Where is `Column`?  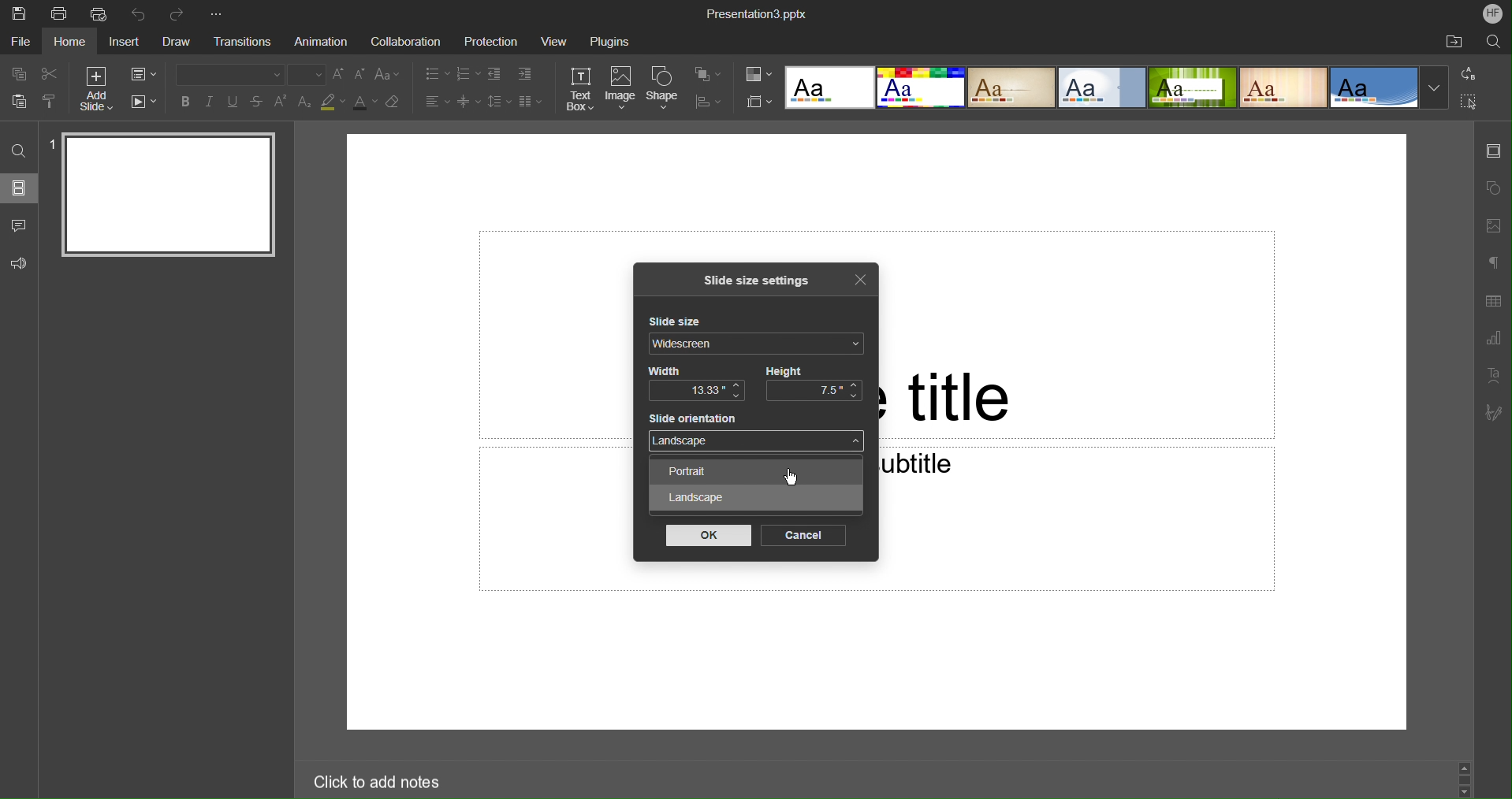
Column is located at coordinates (530, 102).